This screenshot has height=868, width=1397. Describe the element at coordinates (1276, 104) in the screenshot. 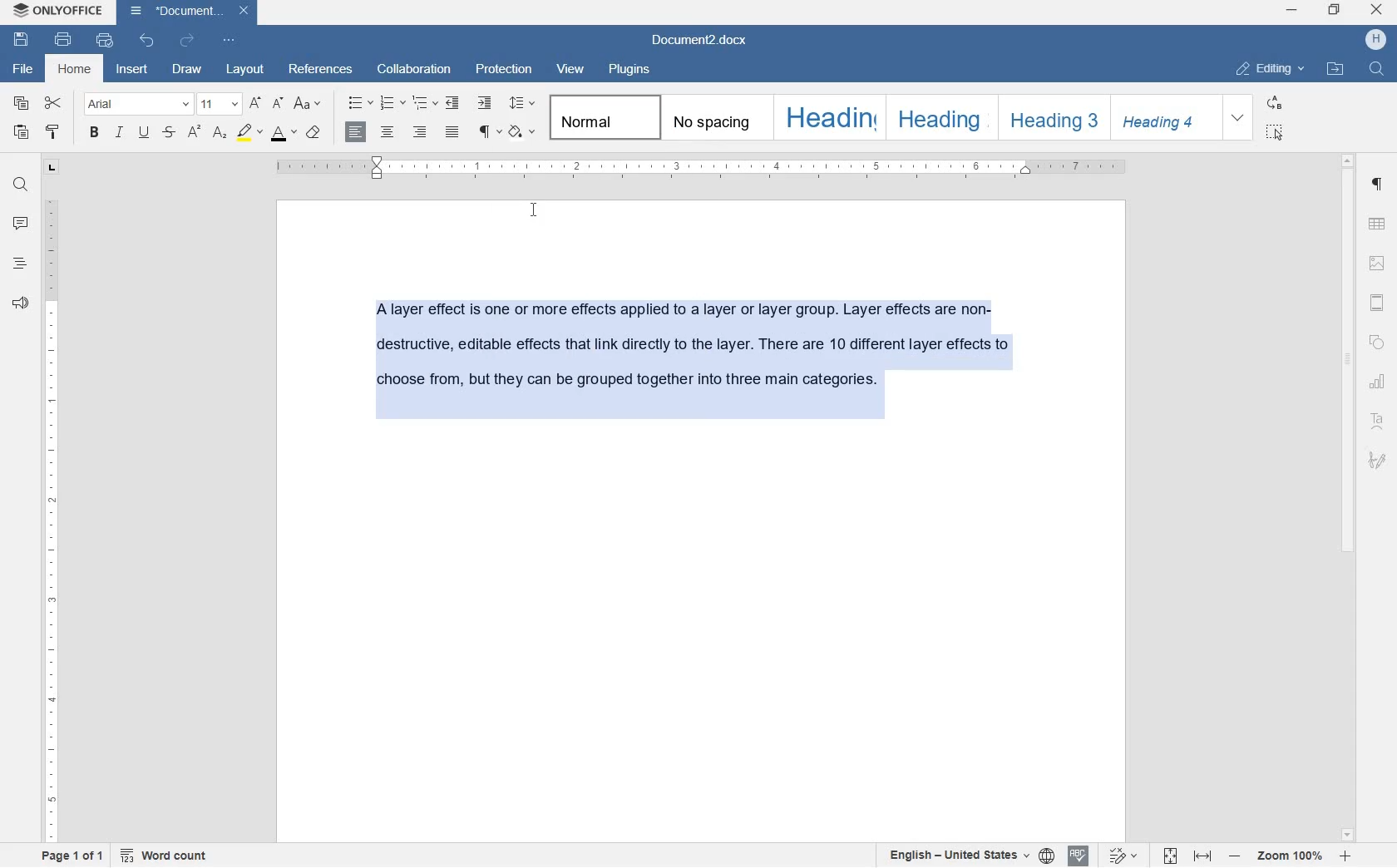

I see `replace` at that location.